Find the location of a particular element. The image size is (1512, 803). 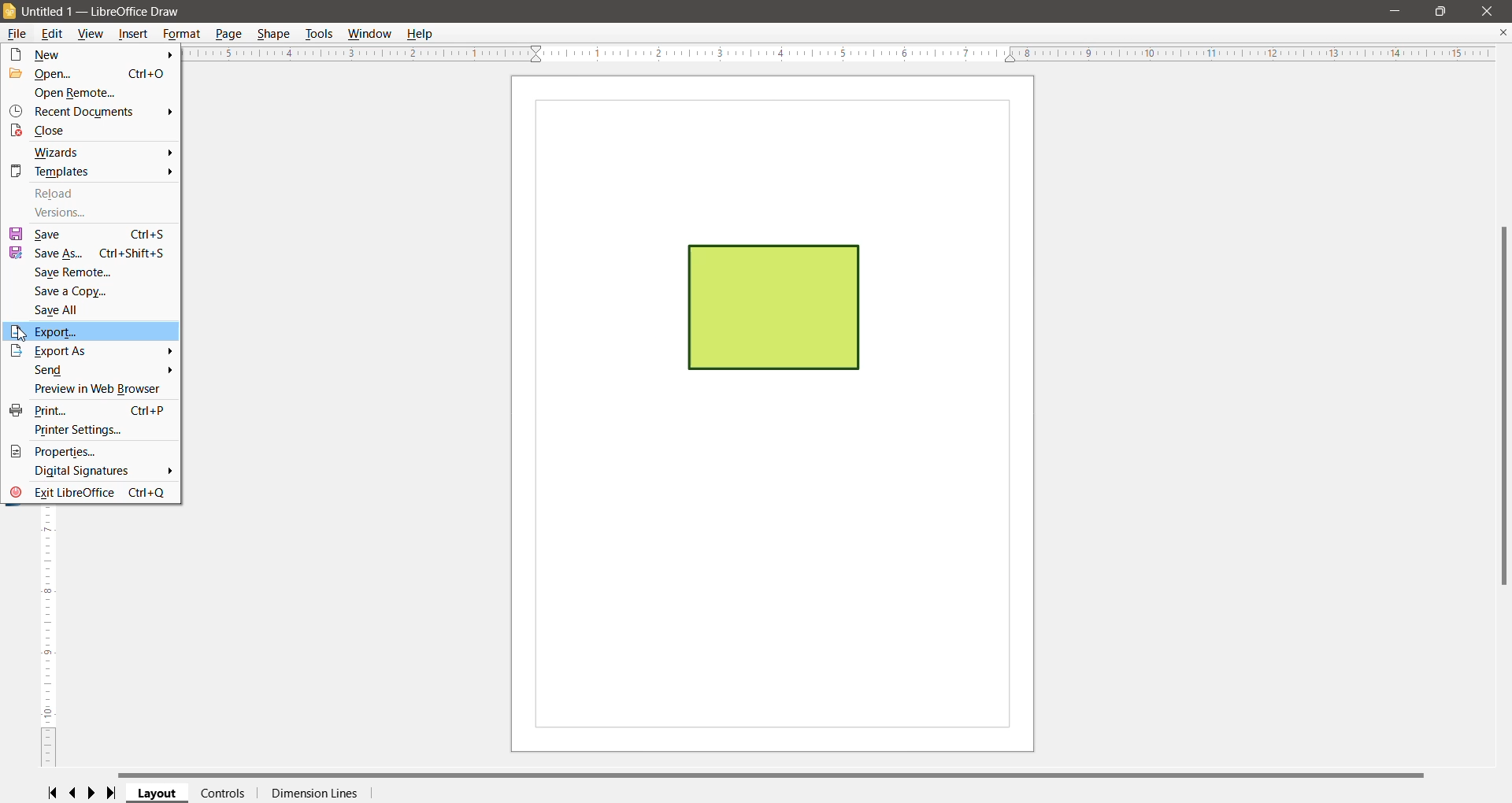

Title bar color changed on Click is located at coordinates (779, 12).